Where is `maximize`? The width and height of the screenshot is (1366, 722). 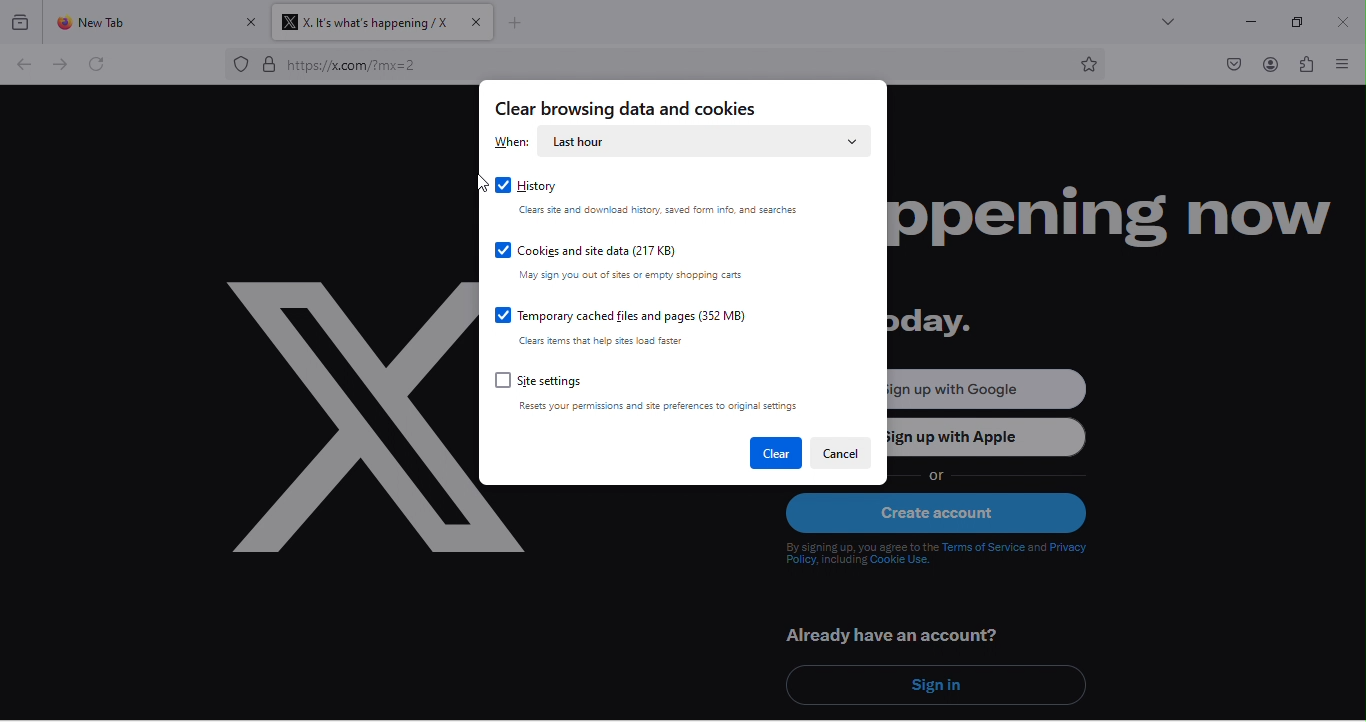 maximize is located at coordinates (1298, 22).